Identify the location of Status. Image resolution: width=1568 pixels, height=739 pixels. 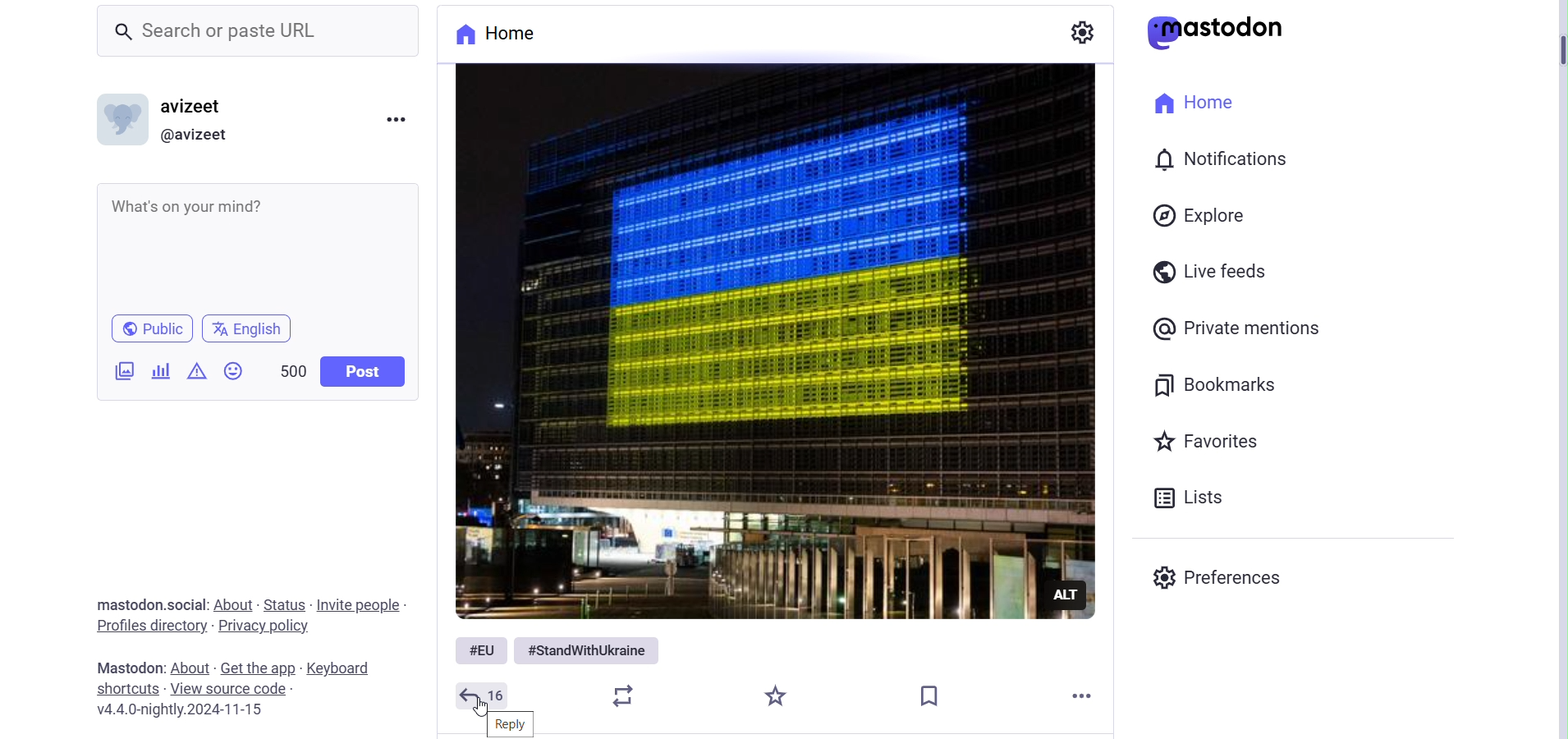
(285, 604).